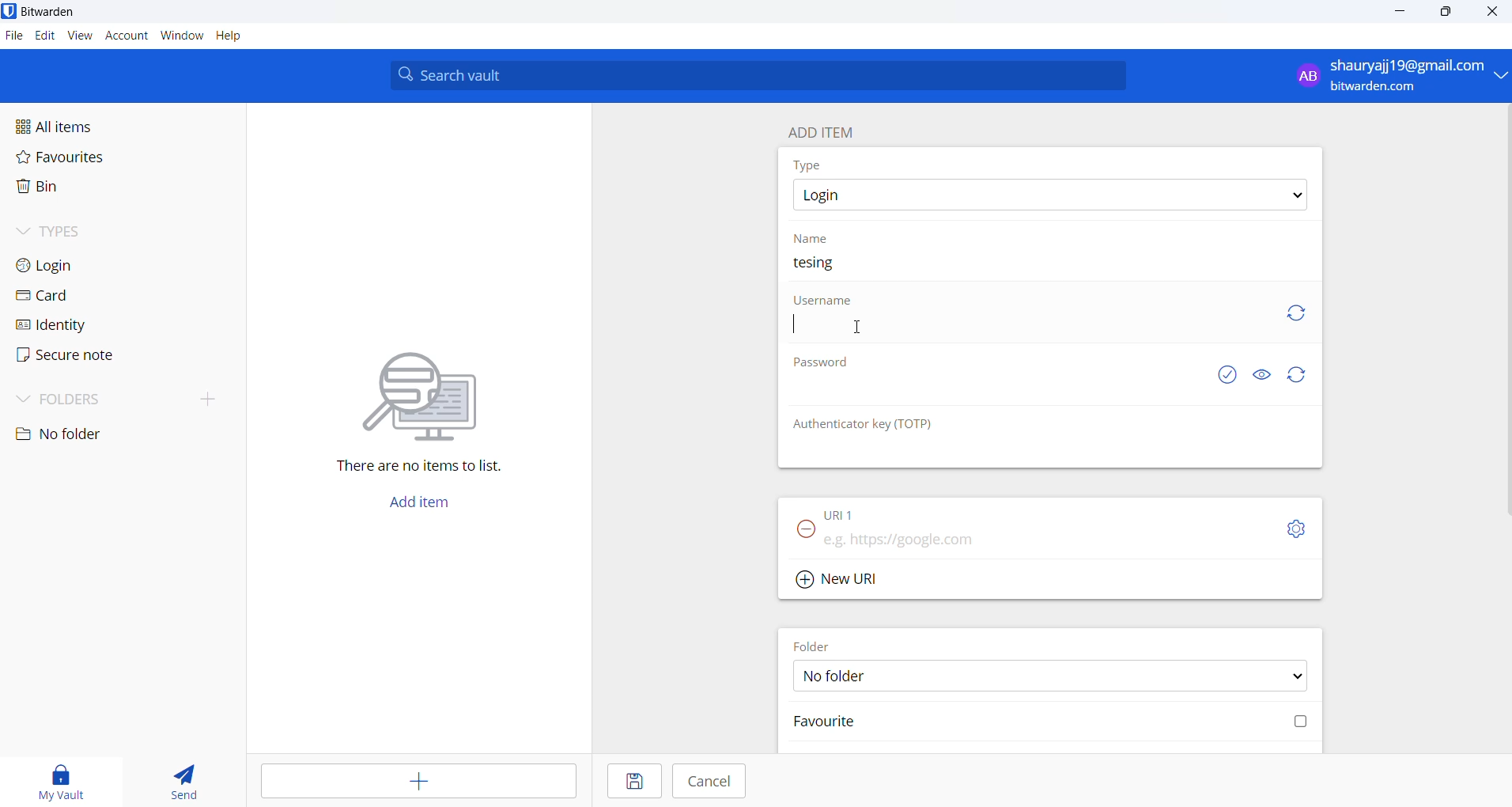  What do you see at coordinates (13, 36) in the screenshot?
I see `file` at bounding box center [13, 36].